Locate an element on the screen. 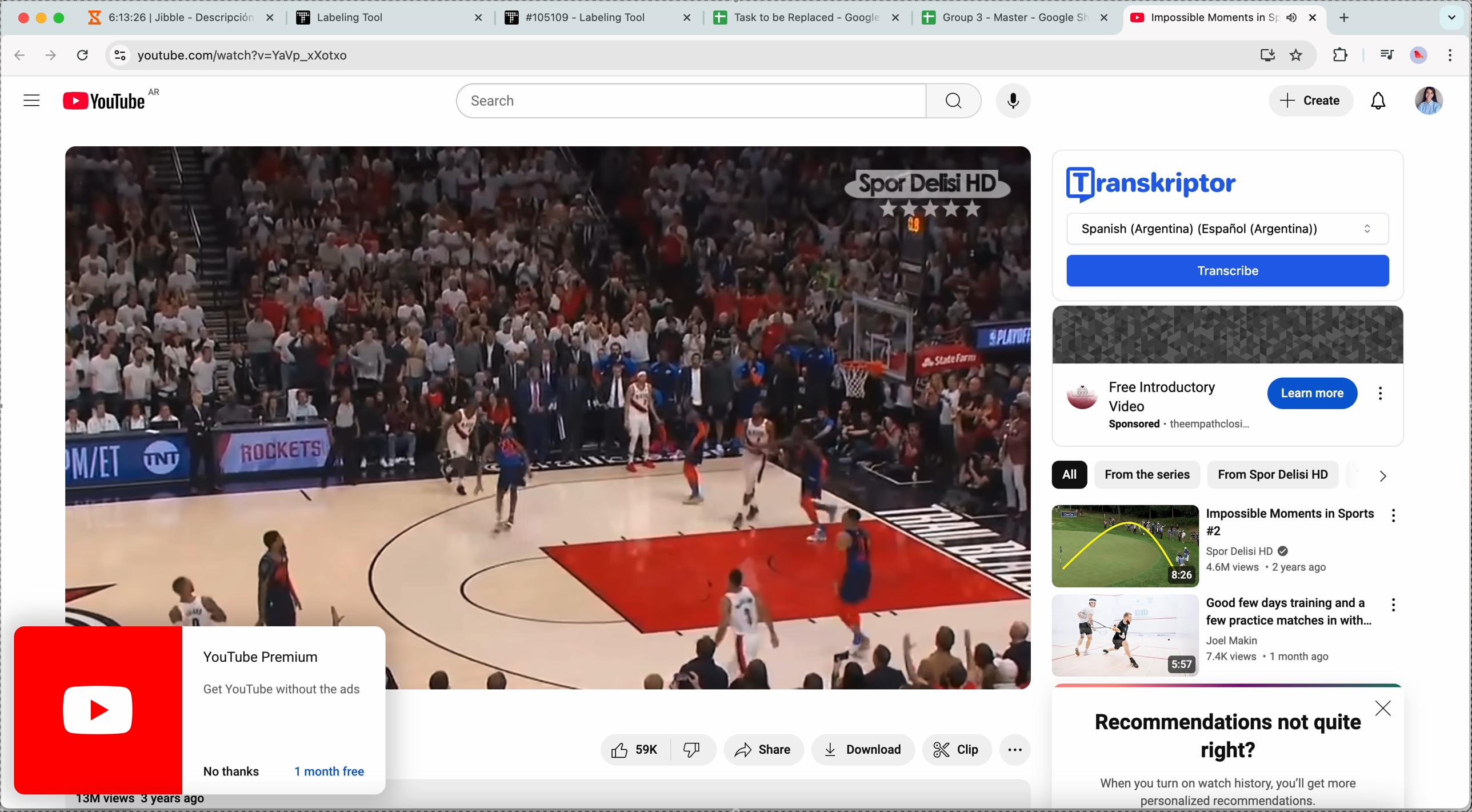  spanish is located at coordinates (1230, 230).